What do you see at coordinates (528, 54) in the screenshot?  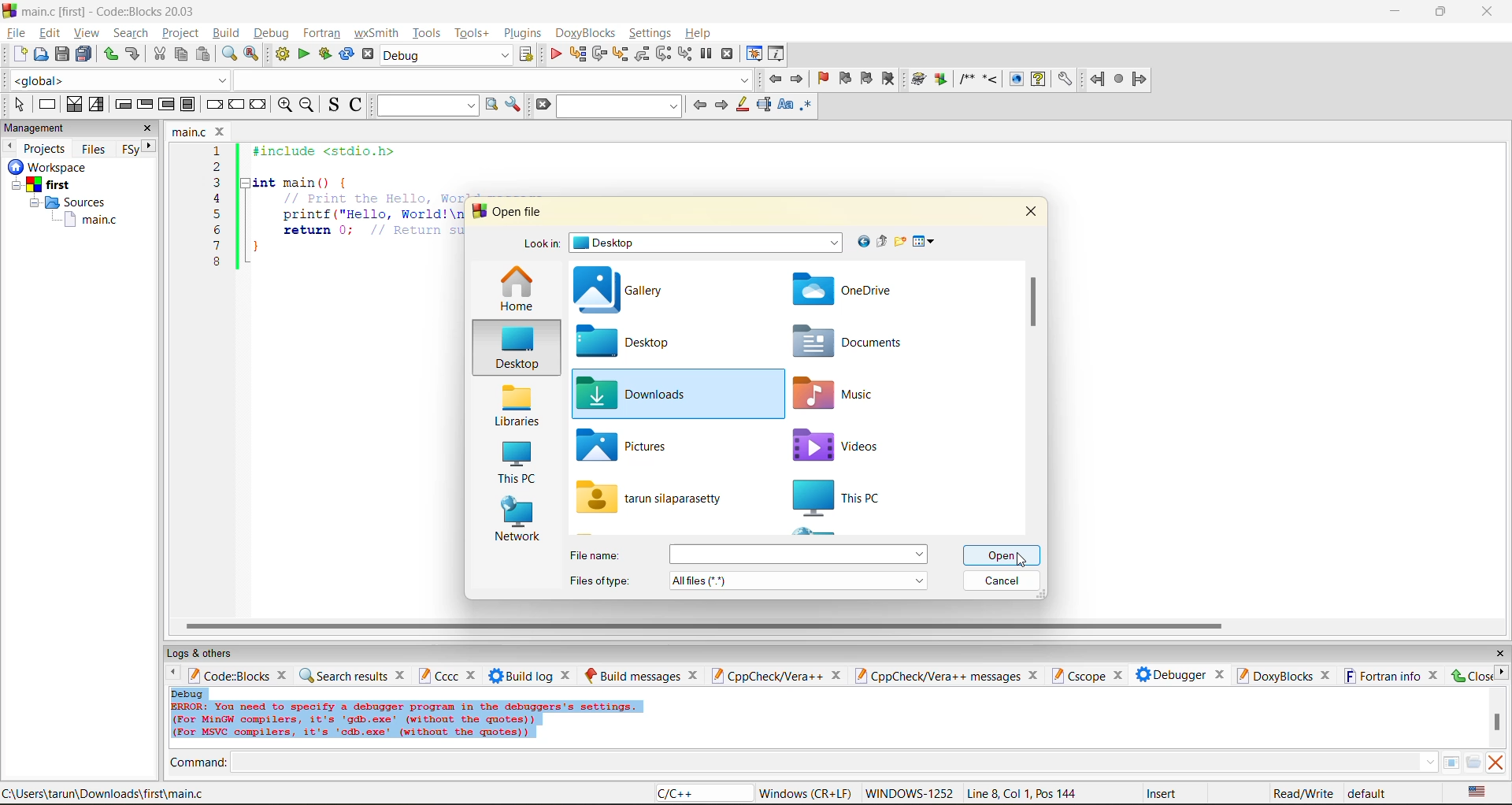 I see `show the select target dialog` at bounding box center [528, 54].